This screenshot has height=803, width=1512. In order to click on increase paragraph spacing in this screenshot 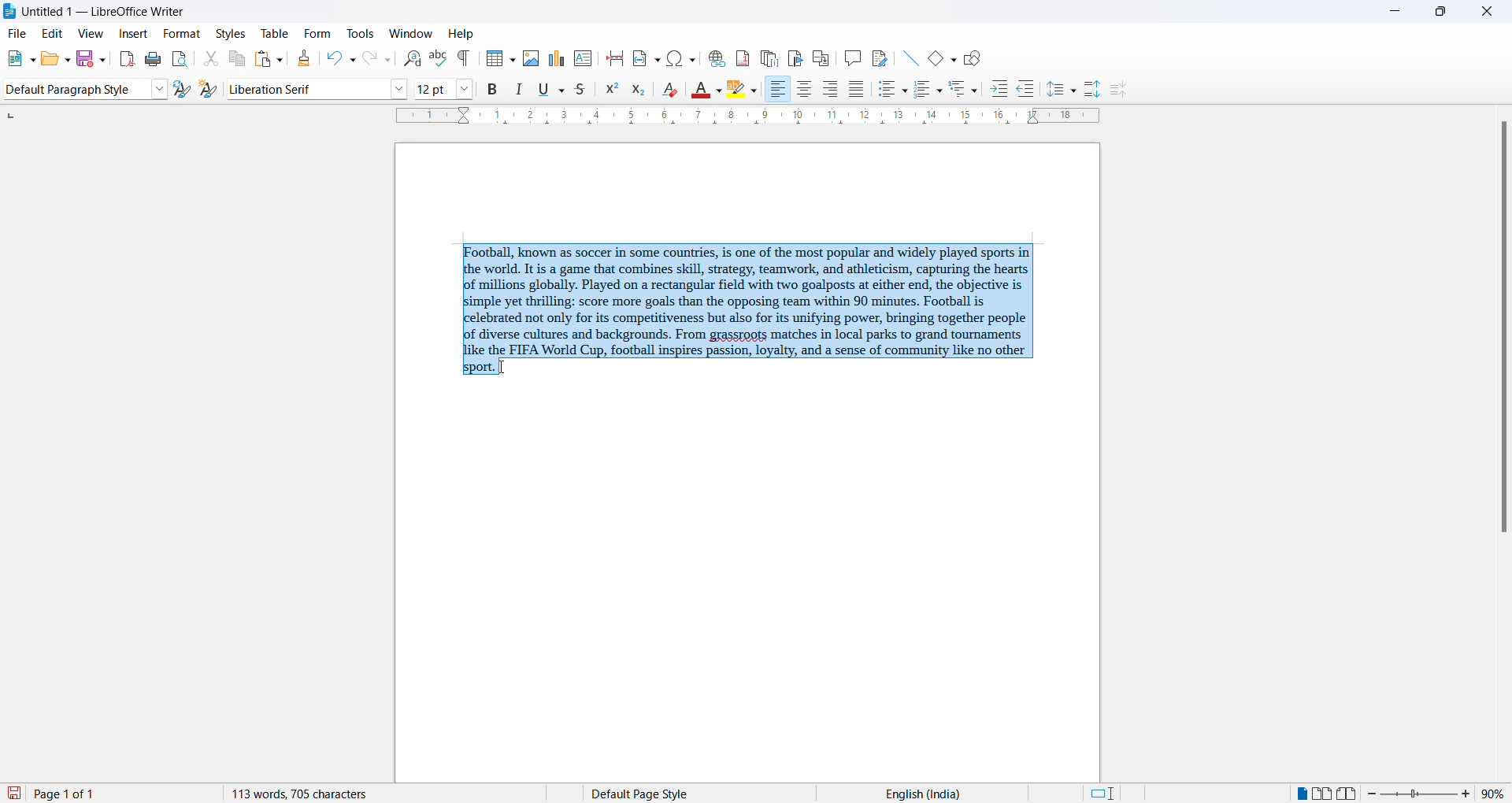, I will do `click(1093, 90)`.